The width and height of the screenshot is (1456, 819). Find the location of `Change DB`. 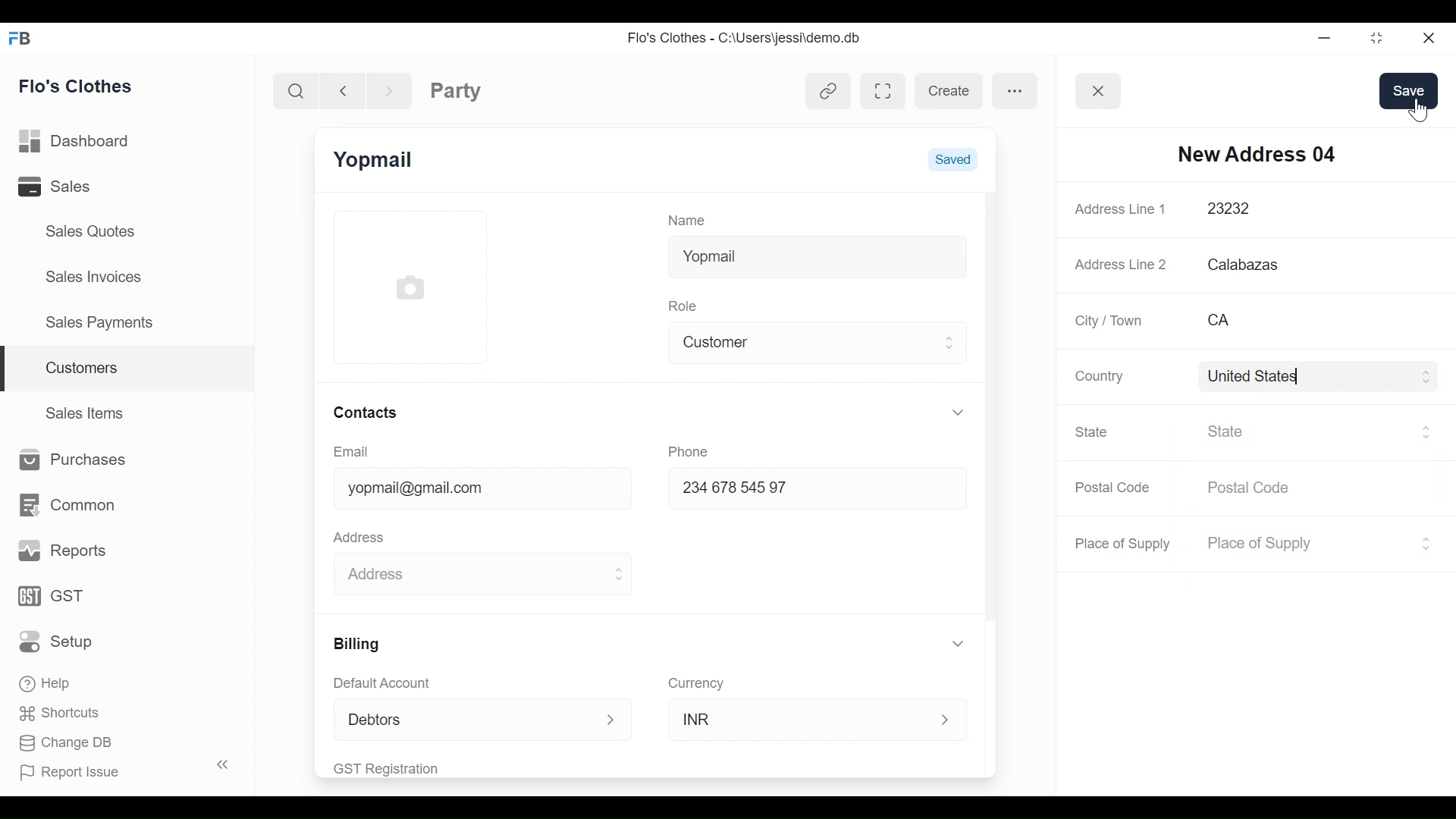

Change DB is located at coordinates (67, 745).